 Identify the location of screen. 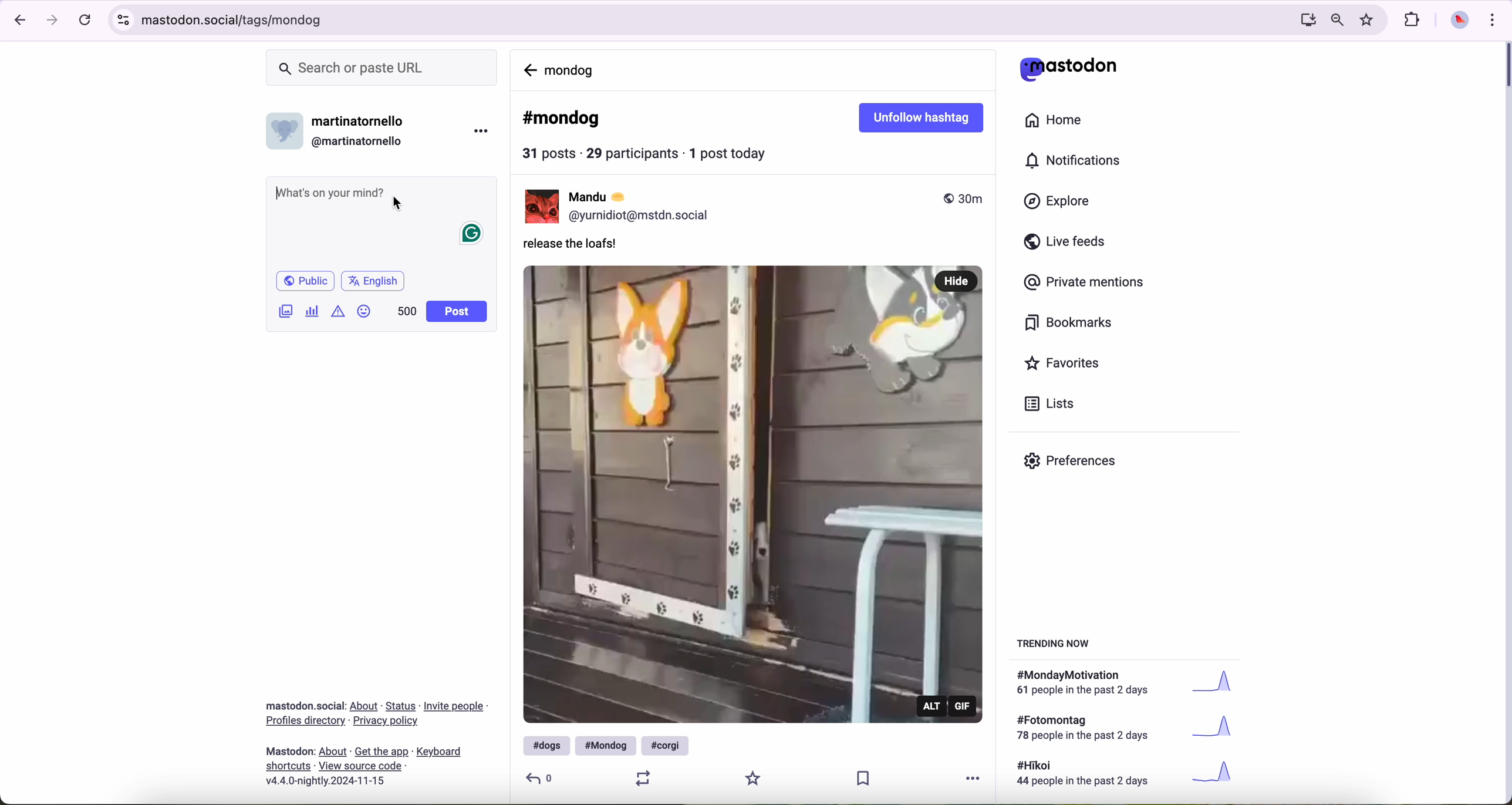
(1305, 21).